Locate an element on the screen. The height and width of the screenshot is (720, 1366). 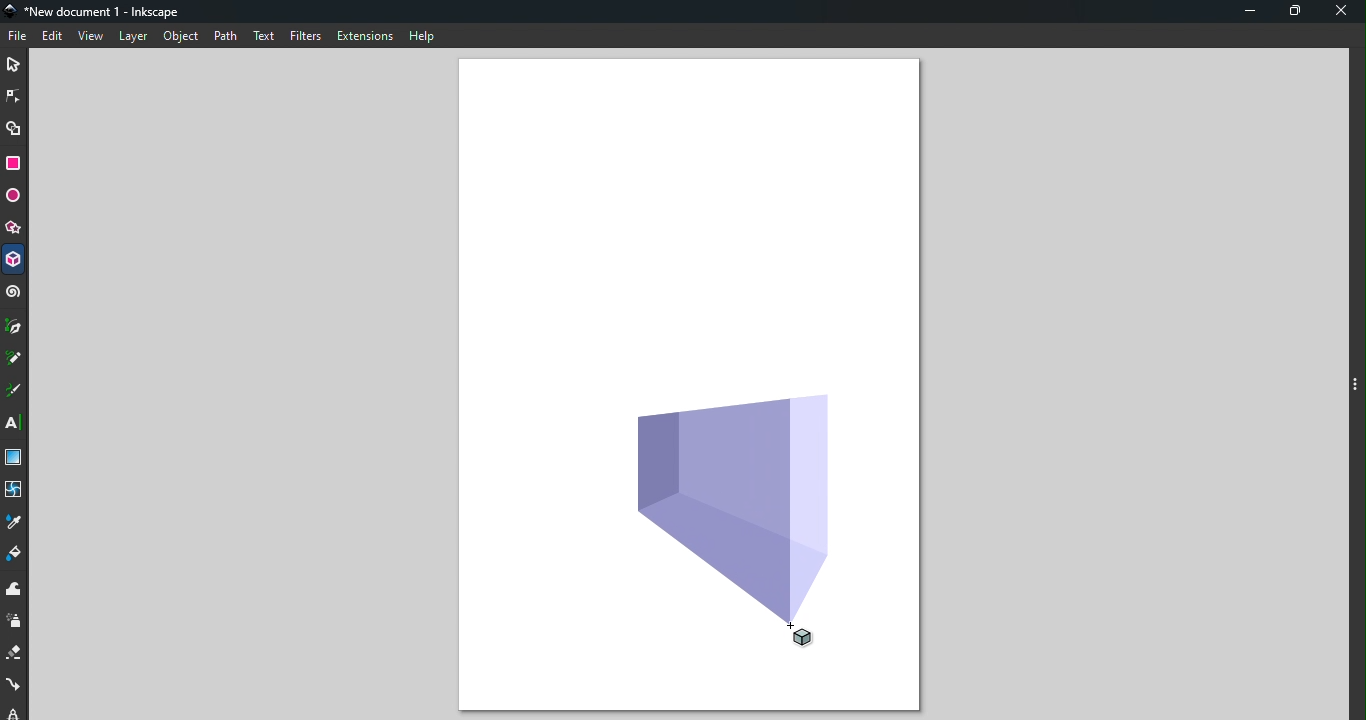
Calligraphy tool is located at coordinates (16, 392).